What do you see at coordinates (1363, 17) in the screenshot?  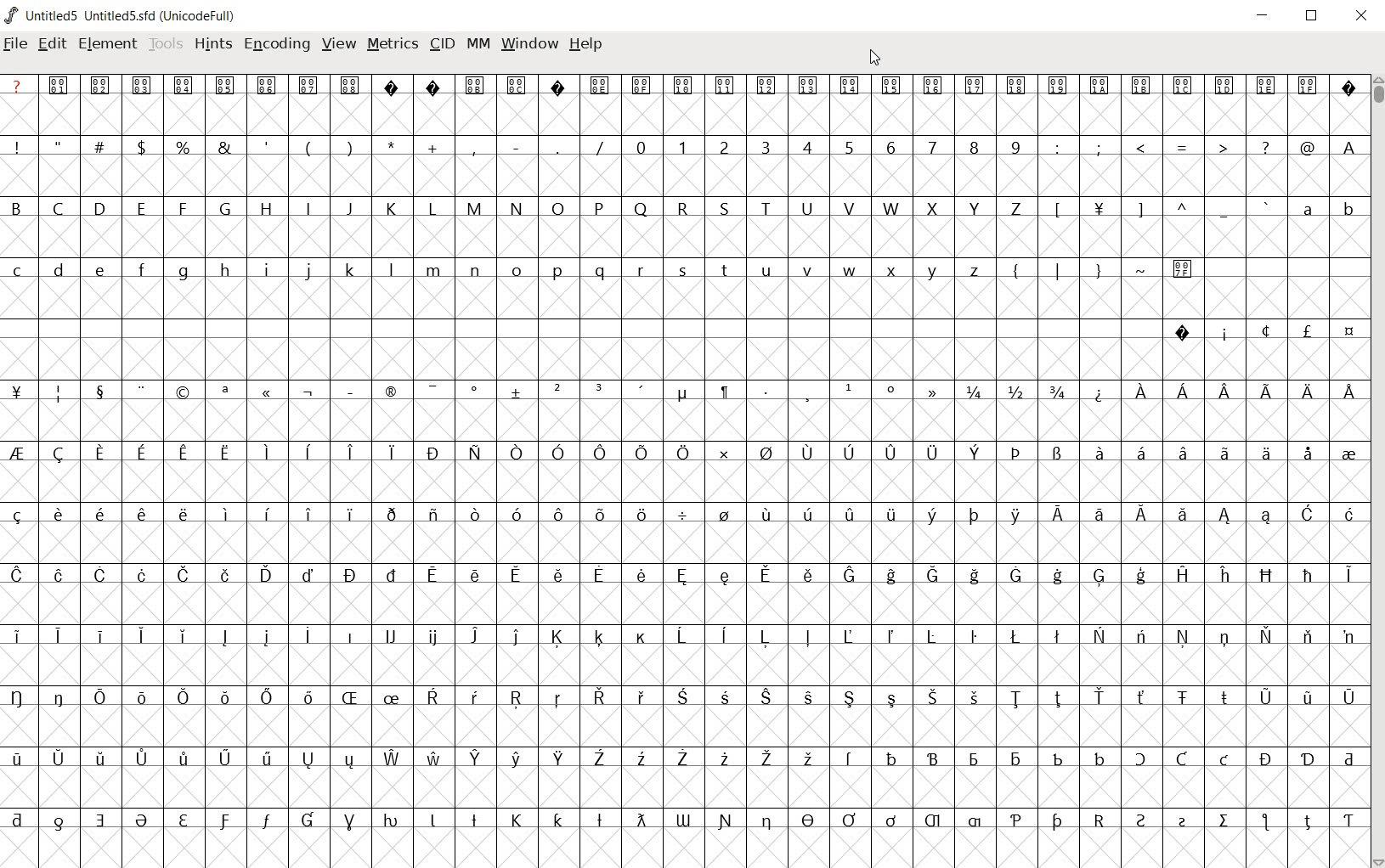 I see `close` at bounding box center [1363, 17].